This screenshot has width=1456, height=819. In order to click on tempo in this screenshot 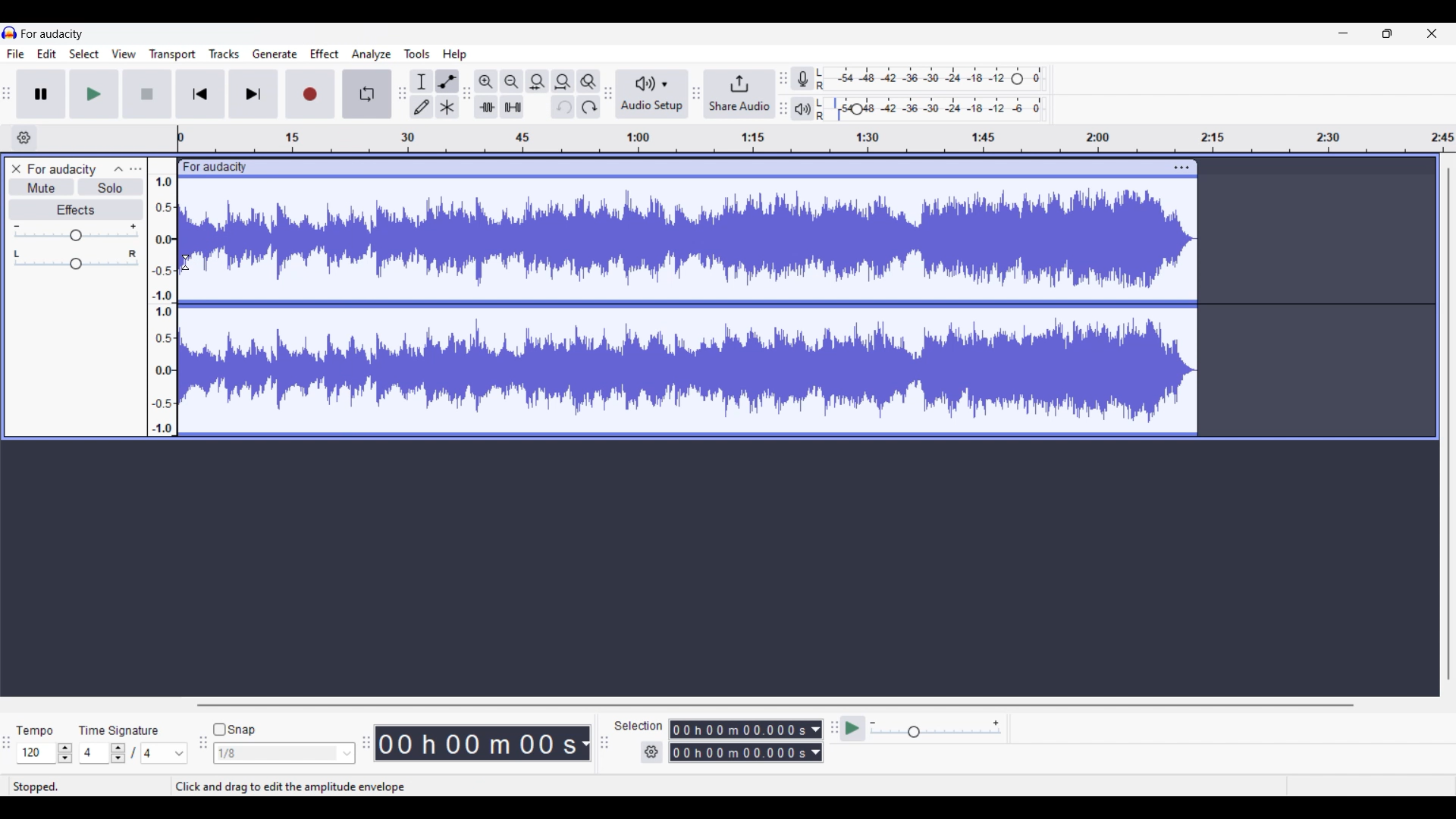, I will do `click(33, 731)`.